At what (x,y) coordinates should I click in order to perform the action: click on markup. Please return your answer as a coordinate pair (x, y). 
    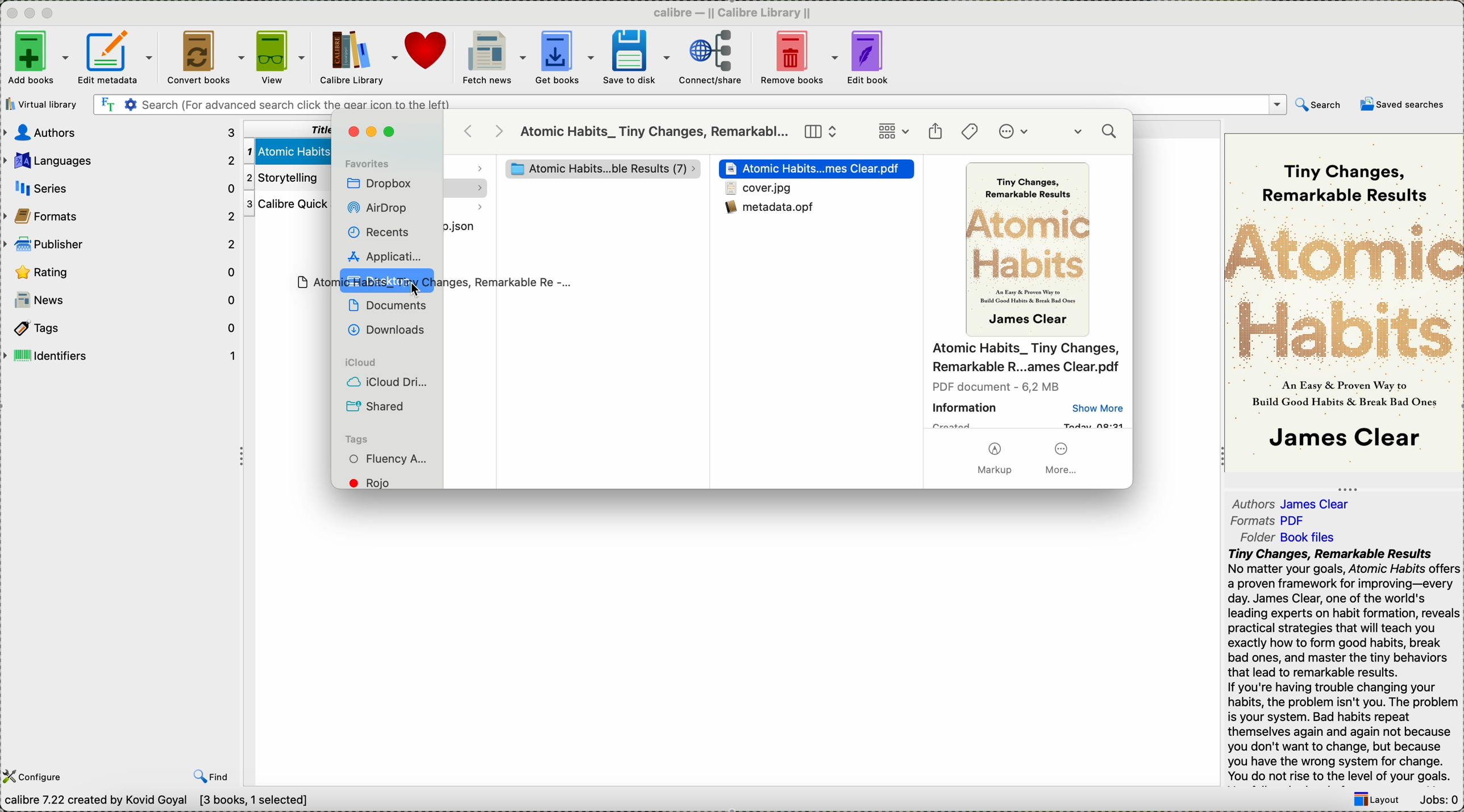
    Looking at the image, I should click on (995, 460).